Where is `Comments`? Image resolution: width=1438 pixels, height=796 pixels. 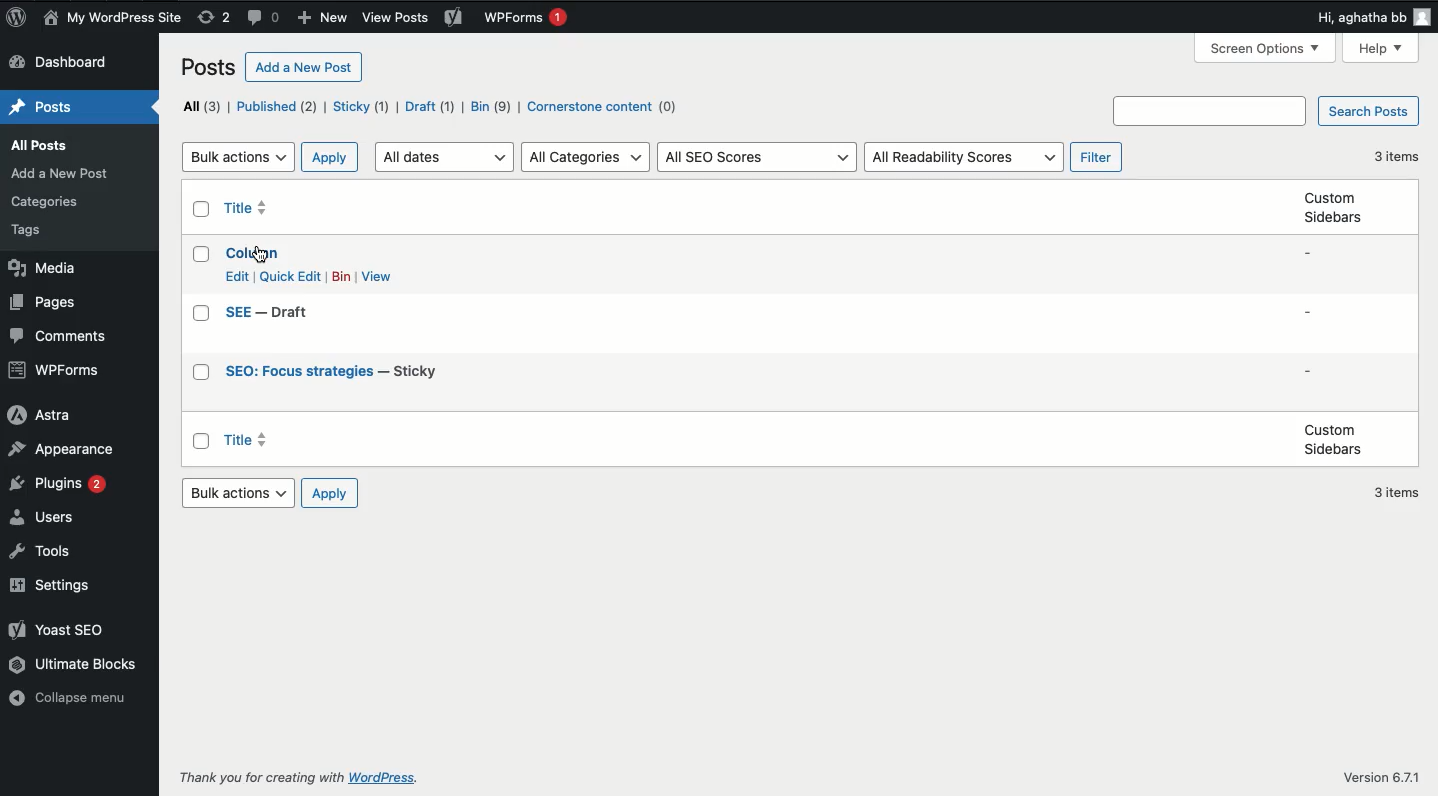
Comments is located at coordinates (64, 336).